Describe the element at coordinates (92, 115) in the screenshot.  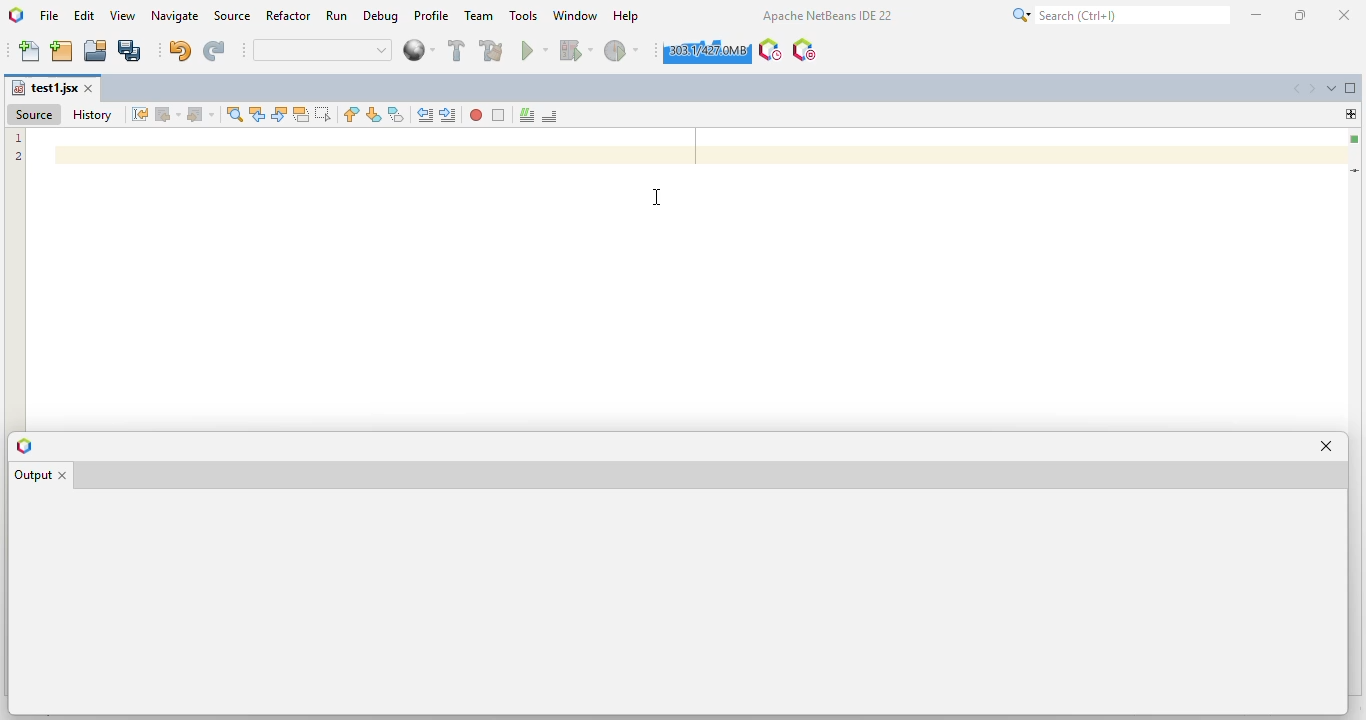
I see `history` at that location.